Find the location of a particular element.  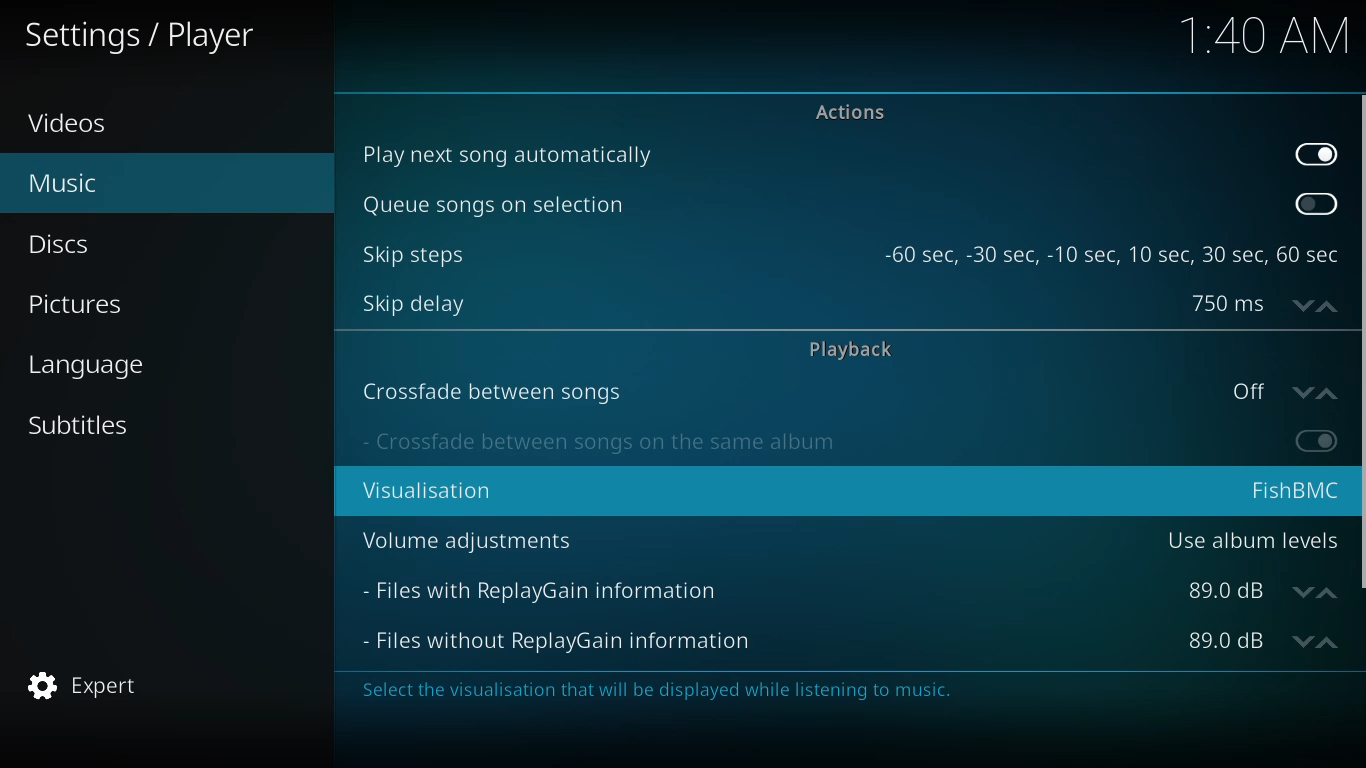

off is located at coordinates (1283, 390).